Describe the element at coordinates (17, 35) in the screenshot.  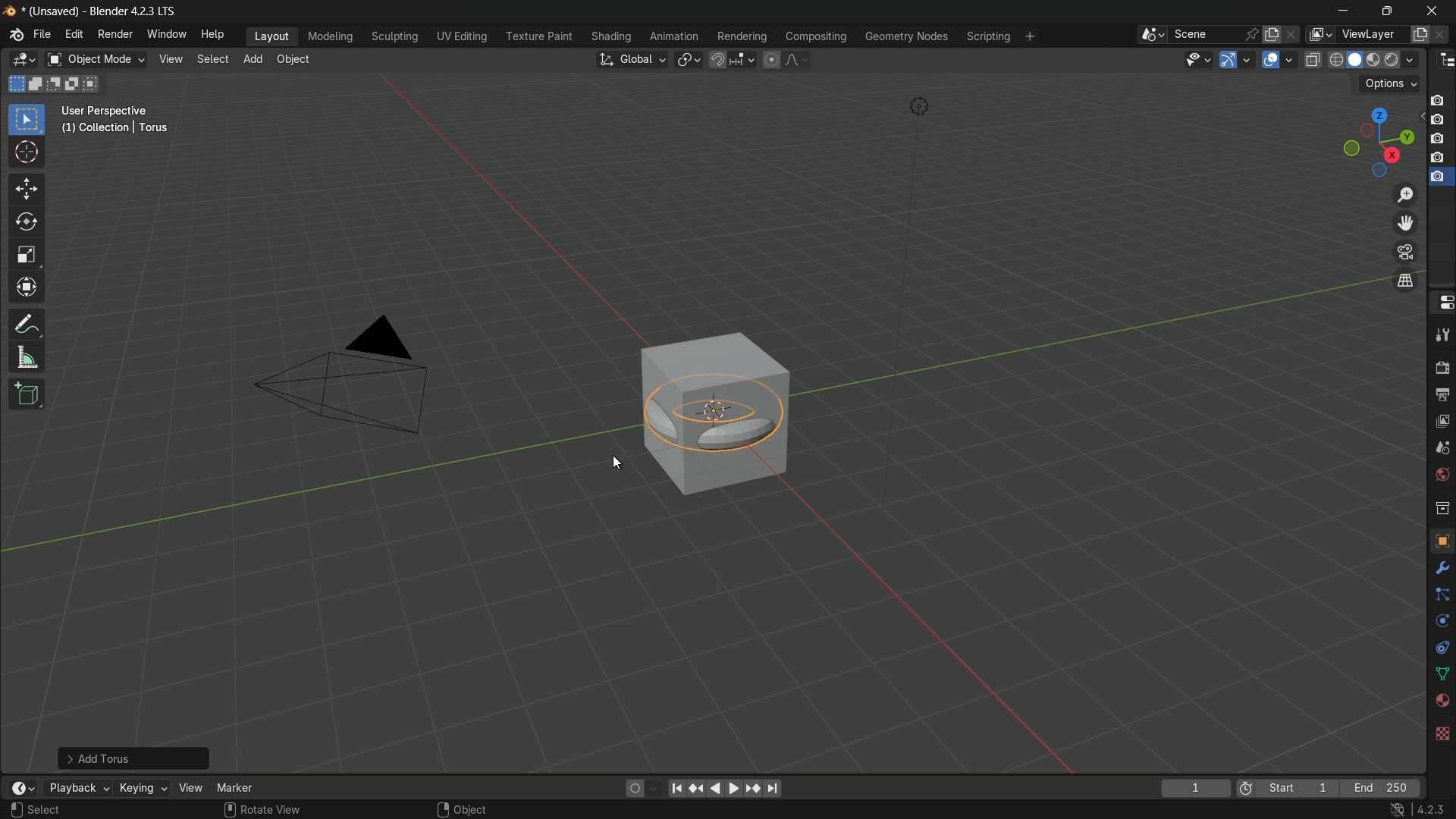
I see `logo` at that location.